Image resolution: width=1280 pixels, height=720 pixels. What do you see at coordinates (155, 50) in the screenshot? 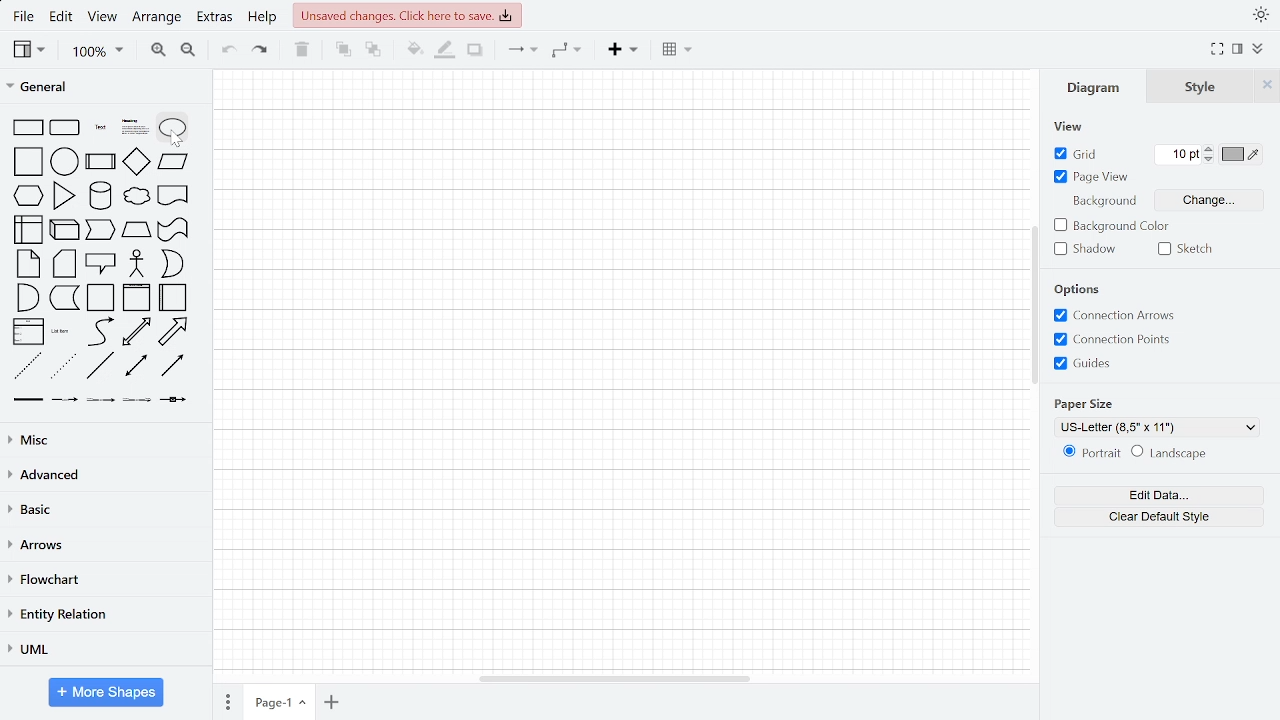
I see `zoom in` at bounding box center [155, 50].